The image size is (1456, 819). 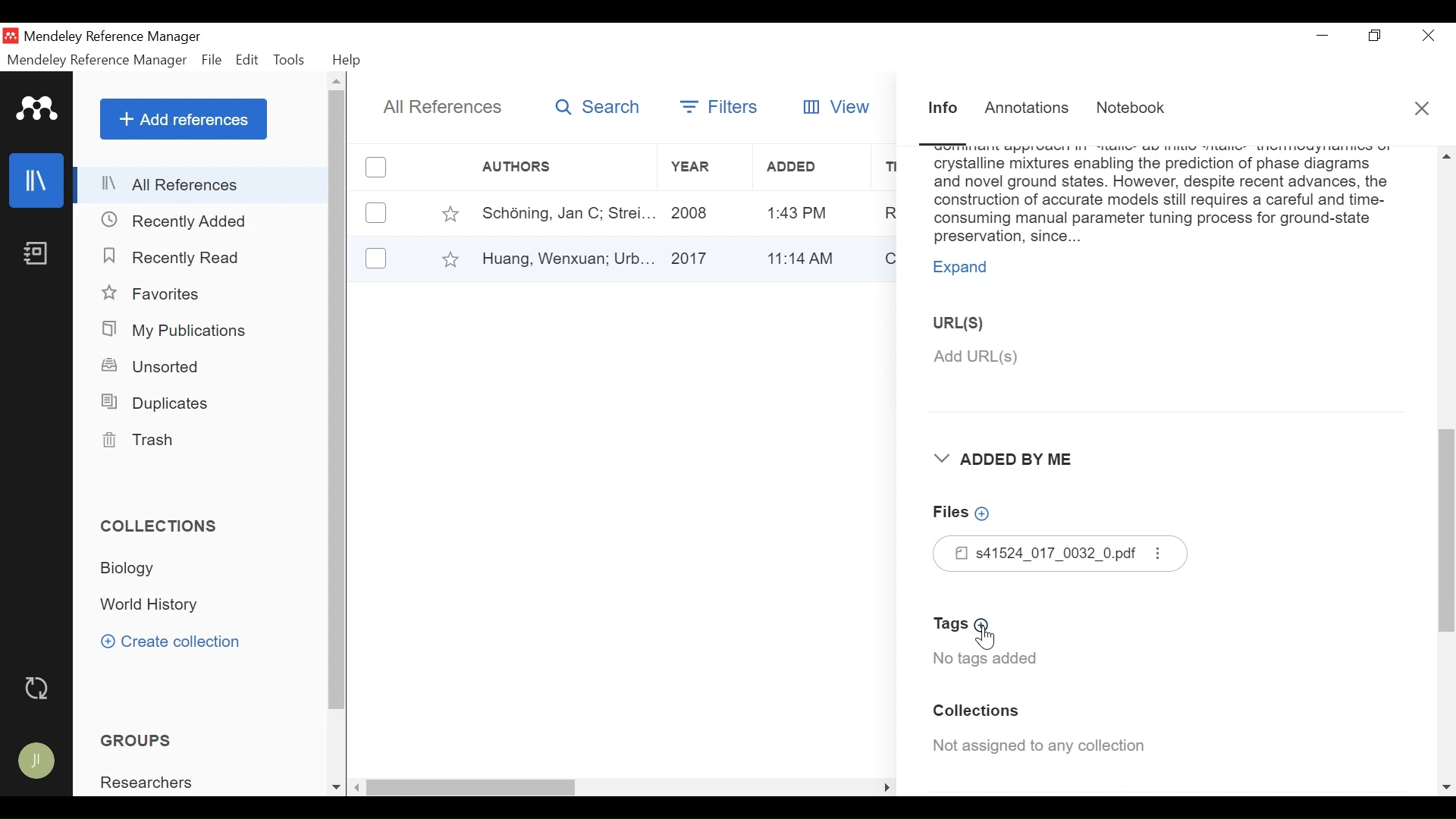 What do you see at coordinates (944, 109) in the screenshot?
I see `Information` at bounding box center [944, 109].